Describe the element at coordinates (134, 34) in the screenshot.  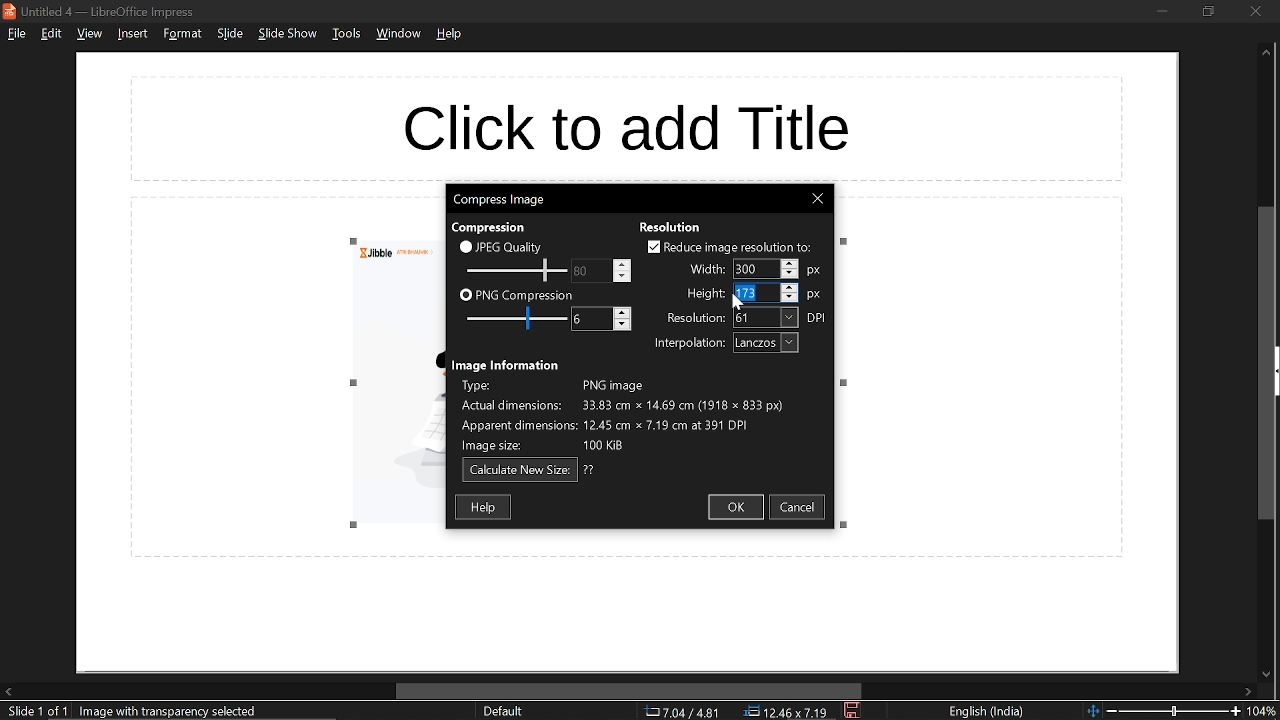
I see `insert` at that location.